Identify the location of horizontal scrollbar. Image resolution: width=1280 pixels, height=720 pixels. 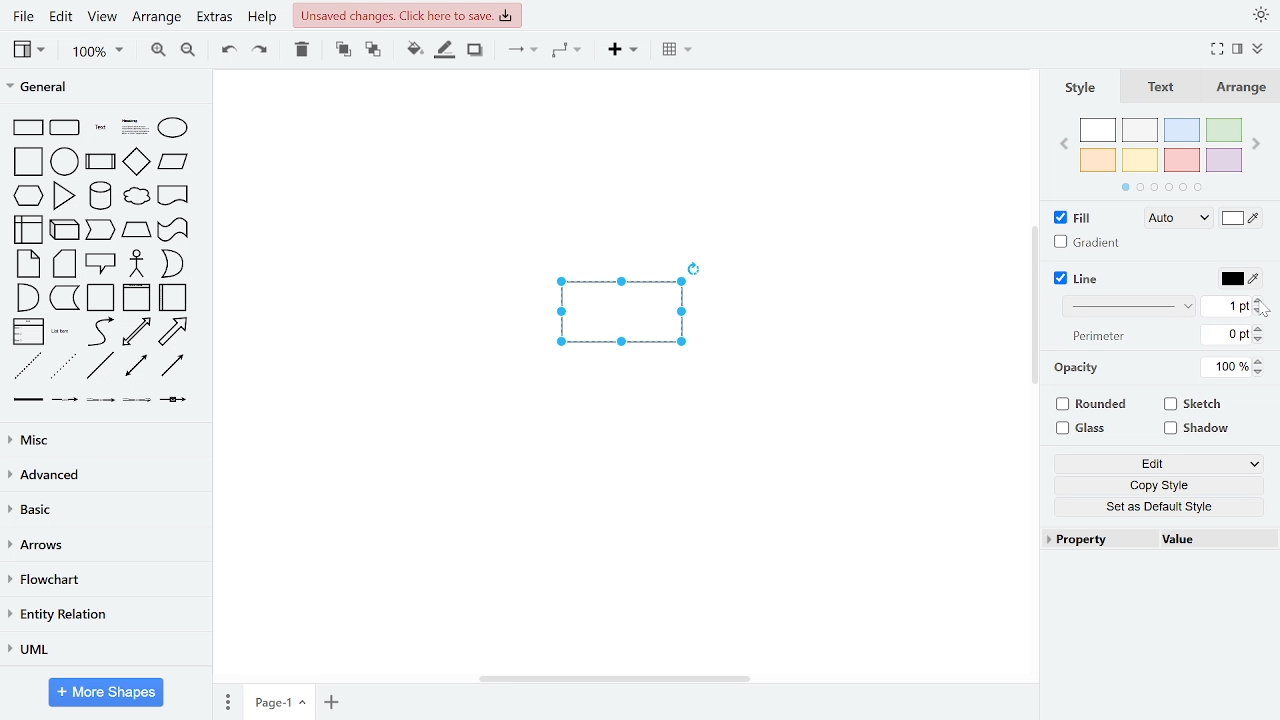
(613, 680).